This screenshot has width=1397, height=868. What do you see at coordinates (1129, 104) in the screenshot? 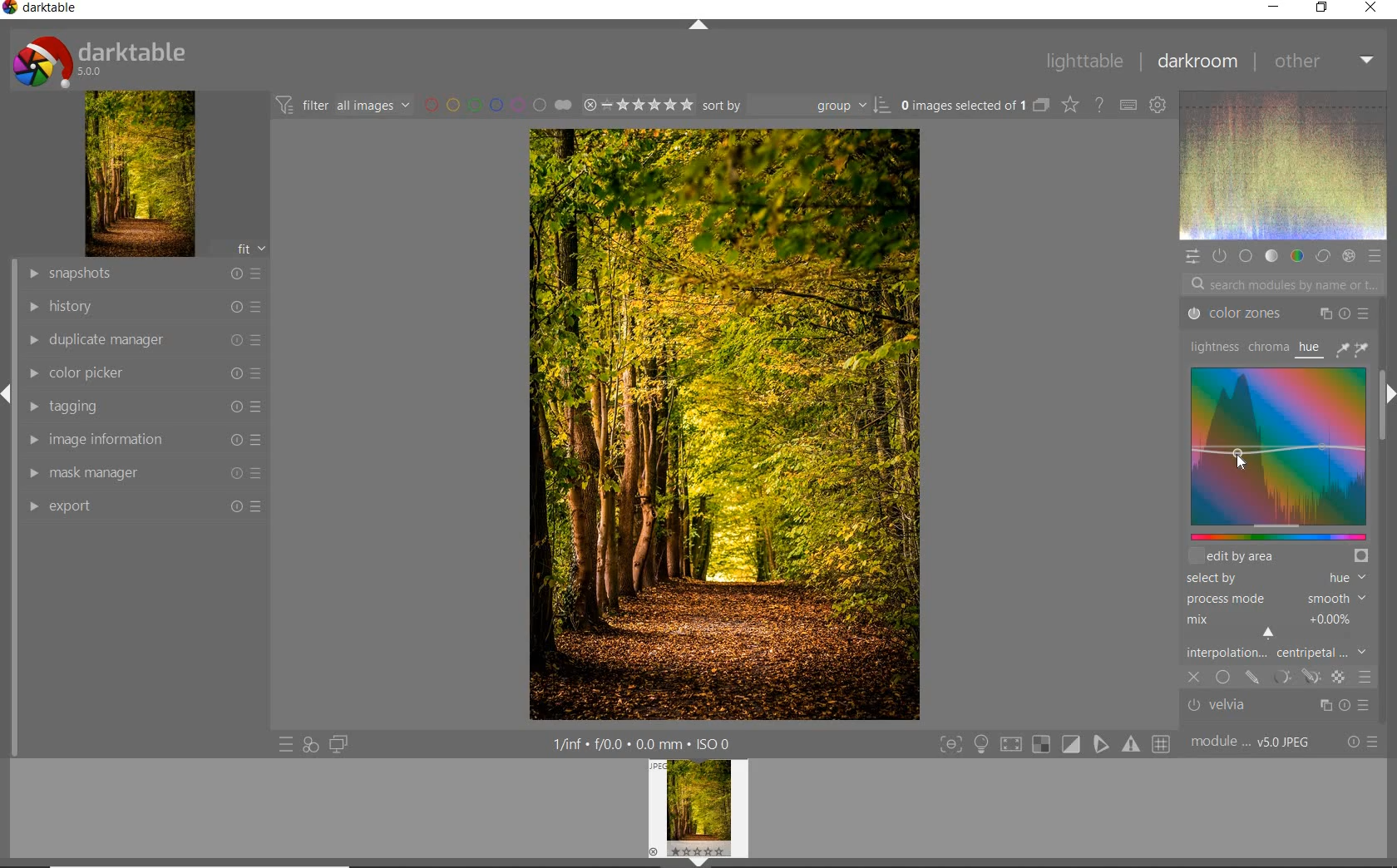
I see `DEFINE KEYBOARD SHOTCUT` at bounding box center [1129, 104].